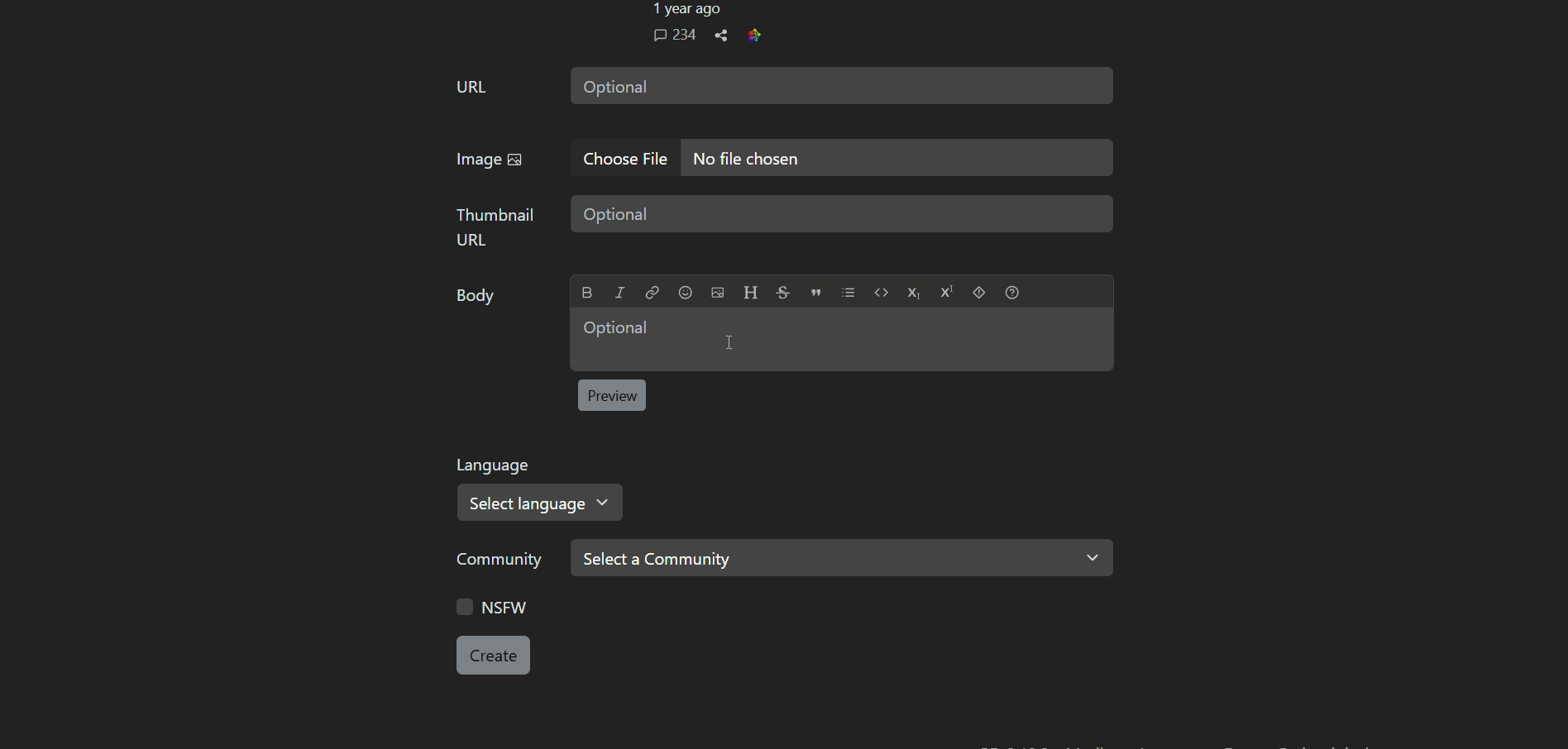 The height and width of the screenshot is (749, 1568). Describe the element at coordinates (782, 292) in the screenshot. I see `Strikethrough` at that location.